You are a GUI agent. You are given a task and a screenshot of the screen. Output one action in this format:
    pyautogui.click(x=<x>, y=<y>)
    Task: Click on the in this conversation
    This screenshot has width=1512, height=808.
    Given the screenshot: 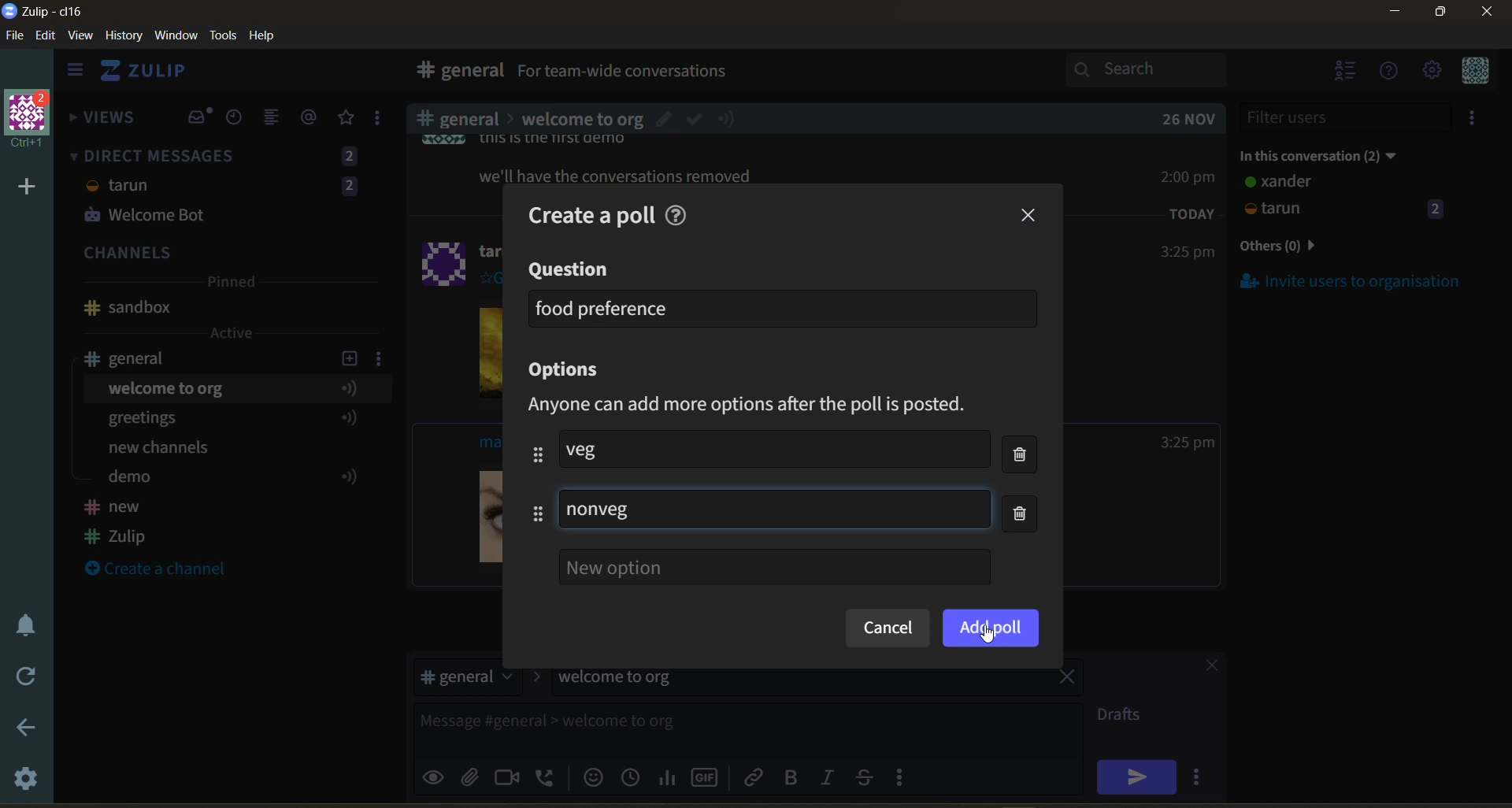 What is the action you would take?
    pyautogui.click(x=1335, y=153)
    